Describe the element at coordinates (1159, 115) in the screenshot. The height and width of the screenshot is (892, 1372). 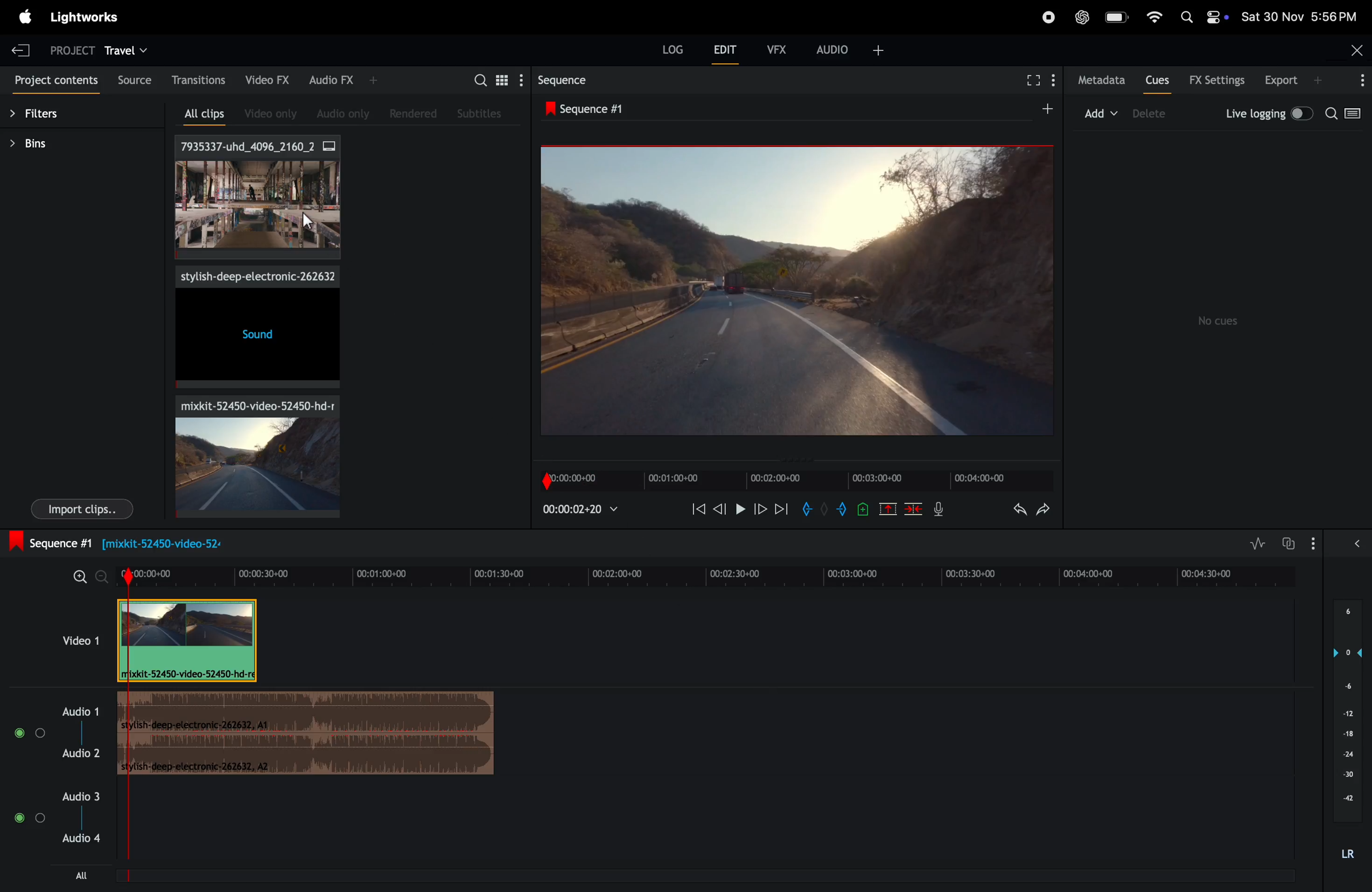
I see `device` at that location.